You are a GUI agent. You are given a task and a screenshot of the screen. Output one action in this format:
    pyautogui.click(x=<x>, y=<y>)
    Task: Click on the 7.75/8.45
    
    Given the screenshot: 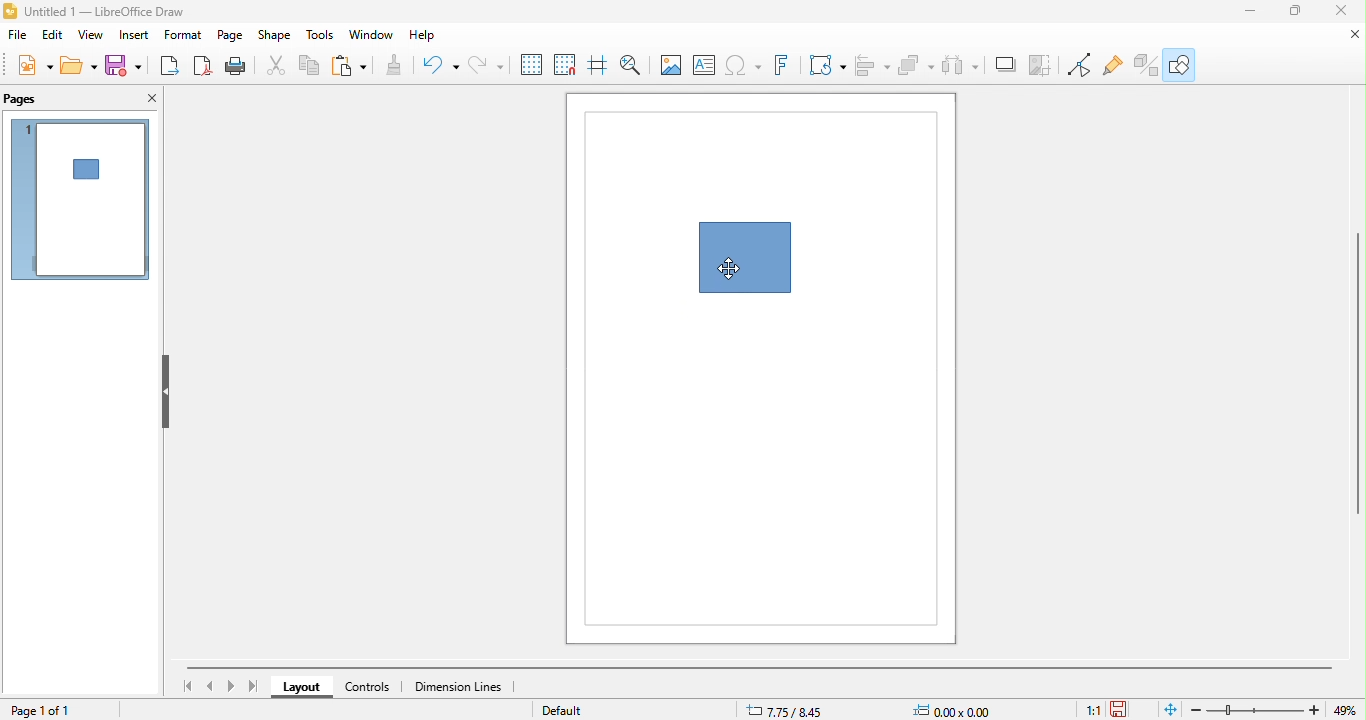 What is the action you would take?
    pyautogui.click(x=812, y=709)
    